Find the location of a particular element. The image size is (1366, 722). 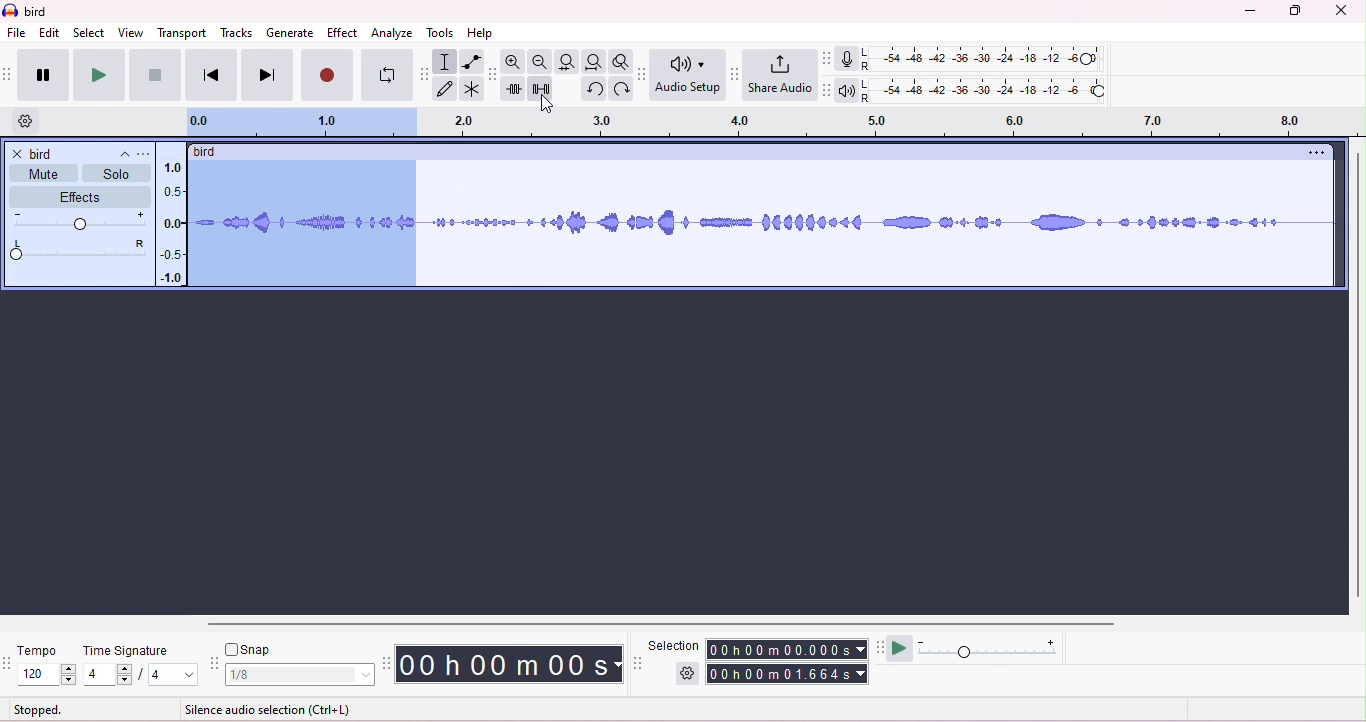

time tool bar is located at coordinates (388, 663).